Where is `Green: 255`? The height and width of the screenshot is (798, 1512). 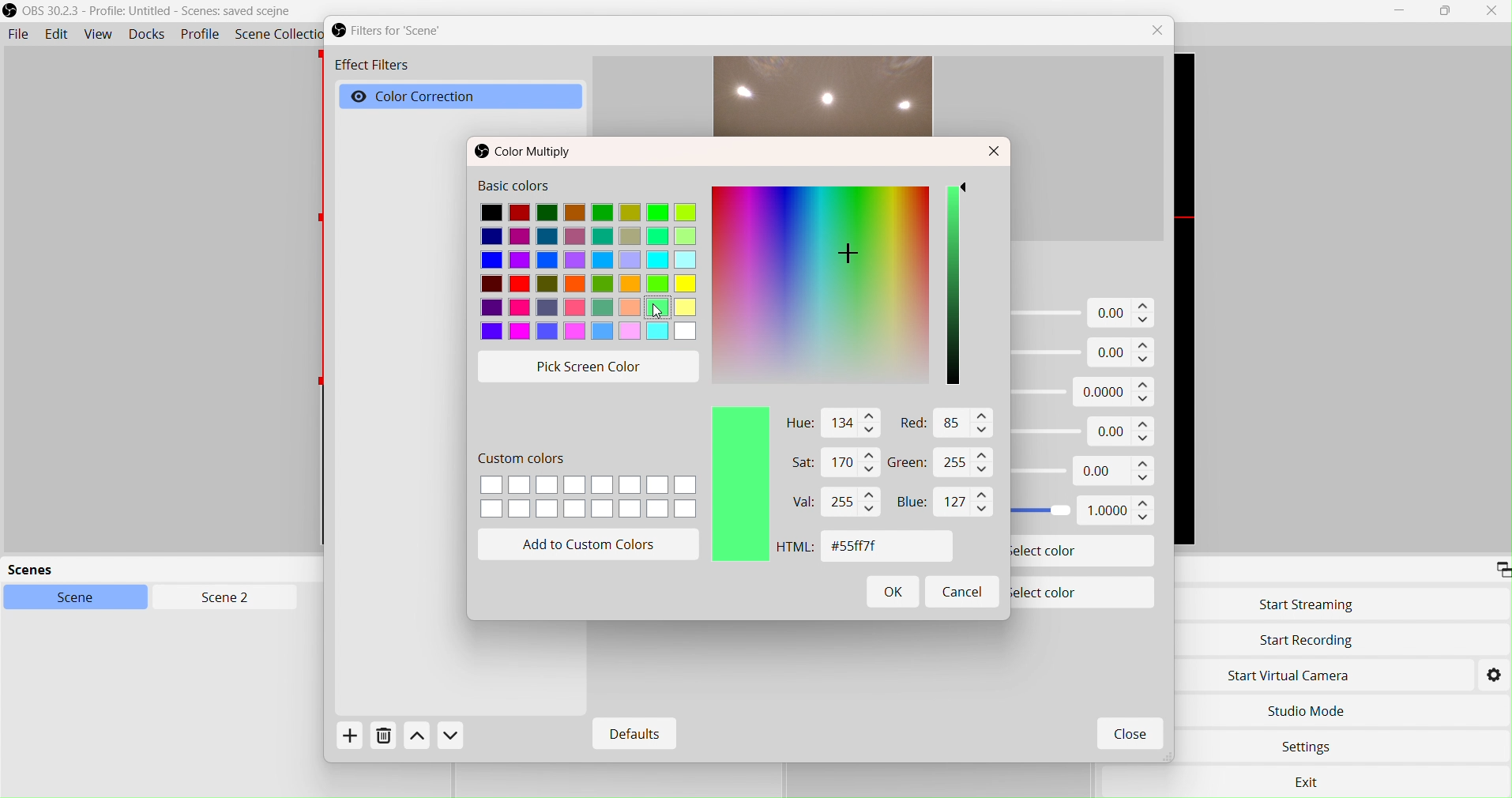
Green: 255 is located at coordinates (942, 464).